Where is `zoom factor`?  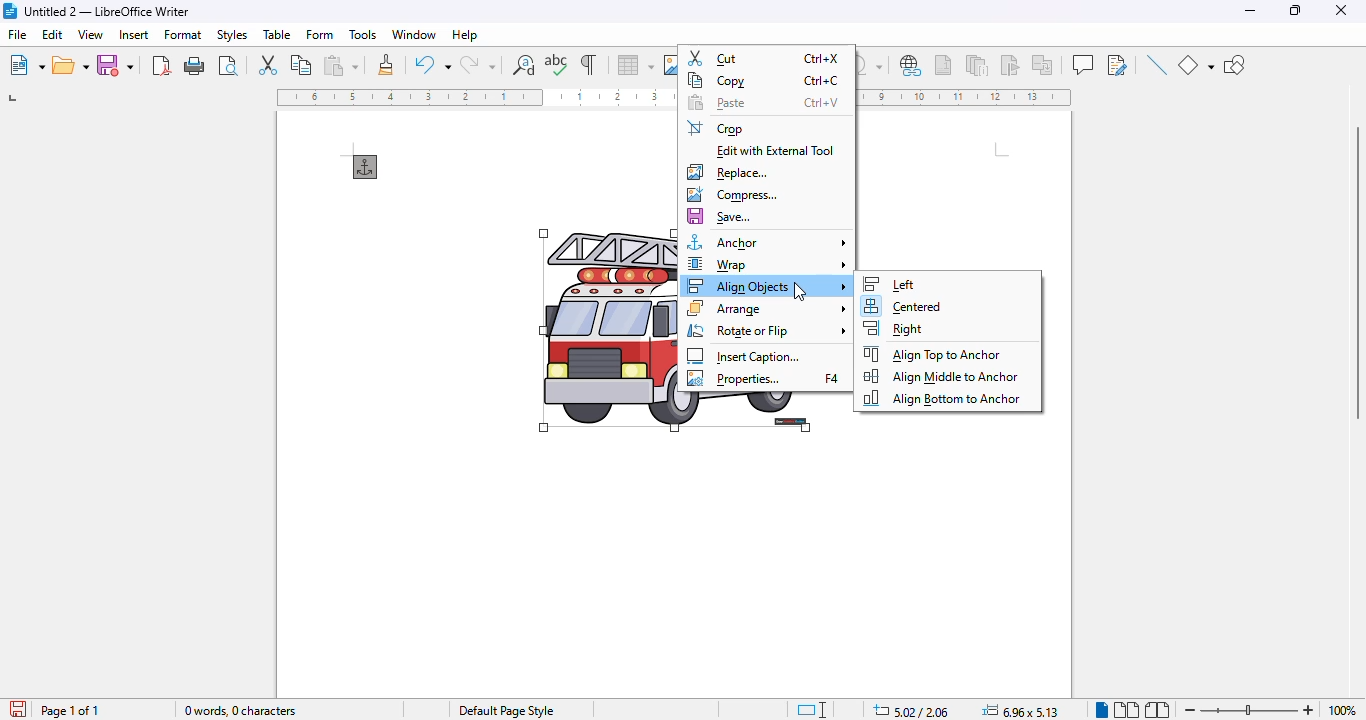 zoom factor is located at coordinates (1342, 710).